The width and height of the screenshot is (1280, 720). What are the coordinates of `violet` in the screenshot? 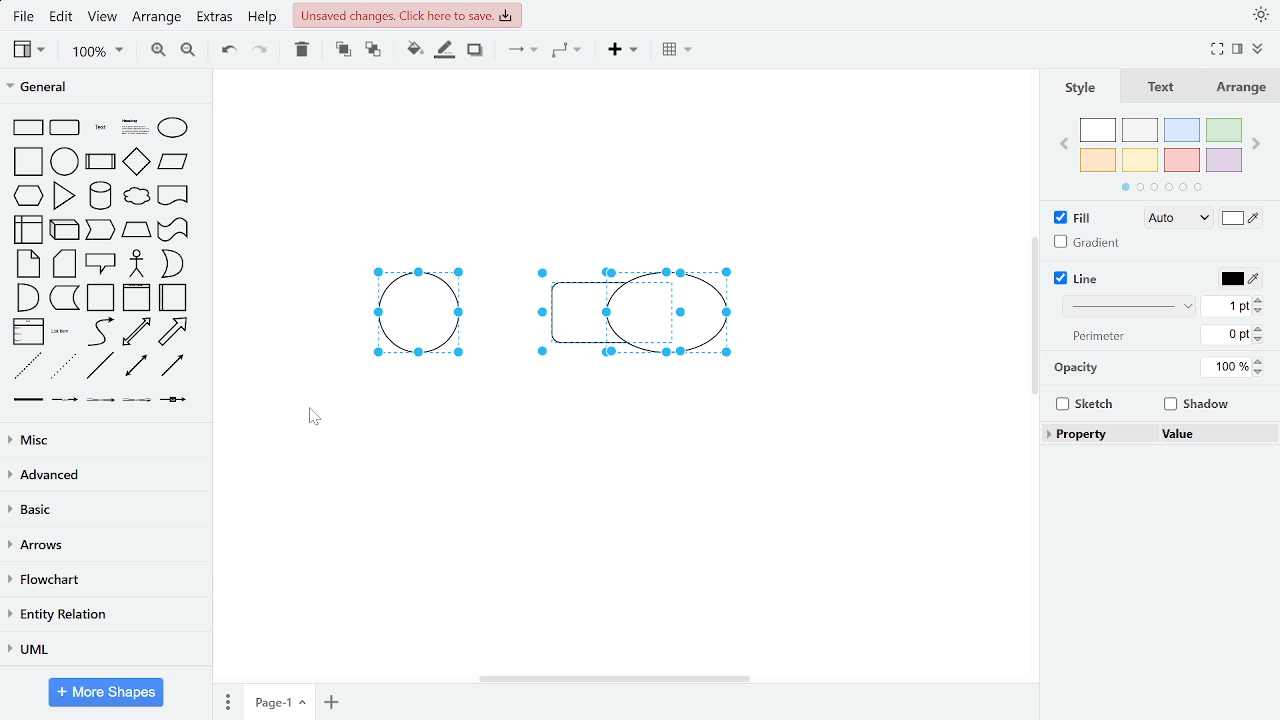 It's located at (1223, 160).